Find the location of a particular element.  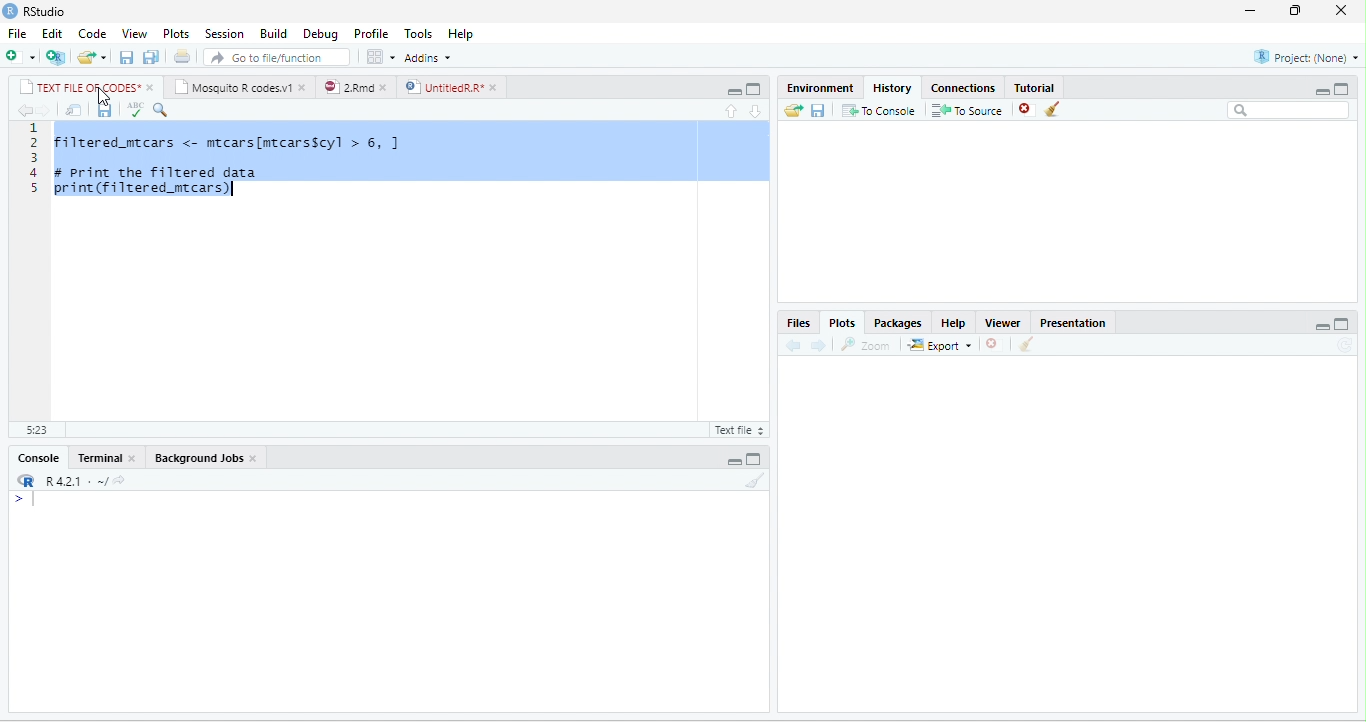

Addins is located at coordinates (427, 57).